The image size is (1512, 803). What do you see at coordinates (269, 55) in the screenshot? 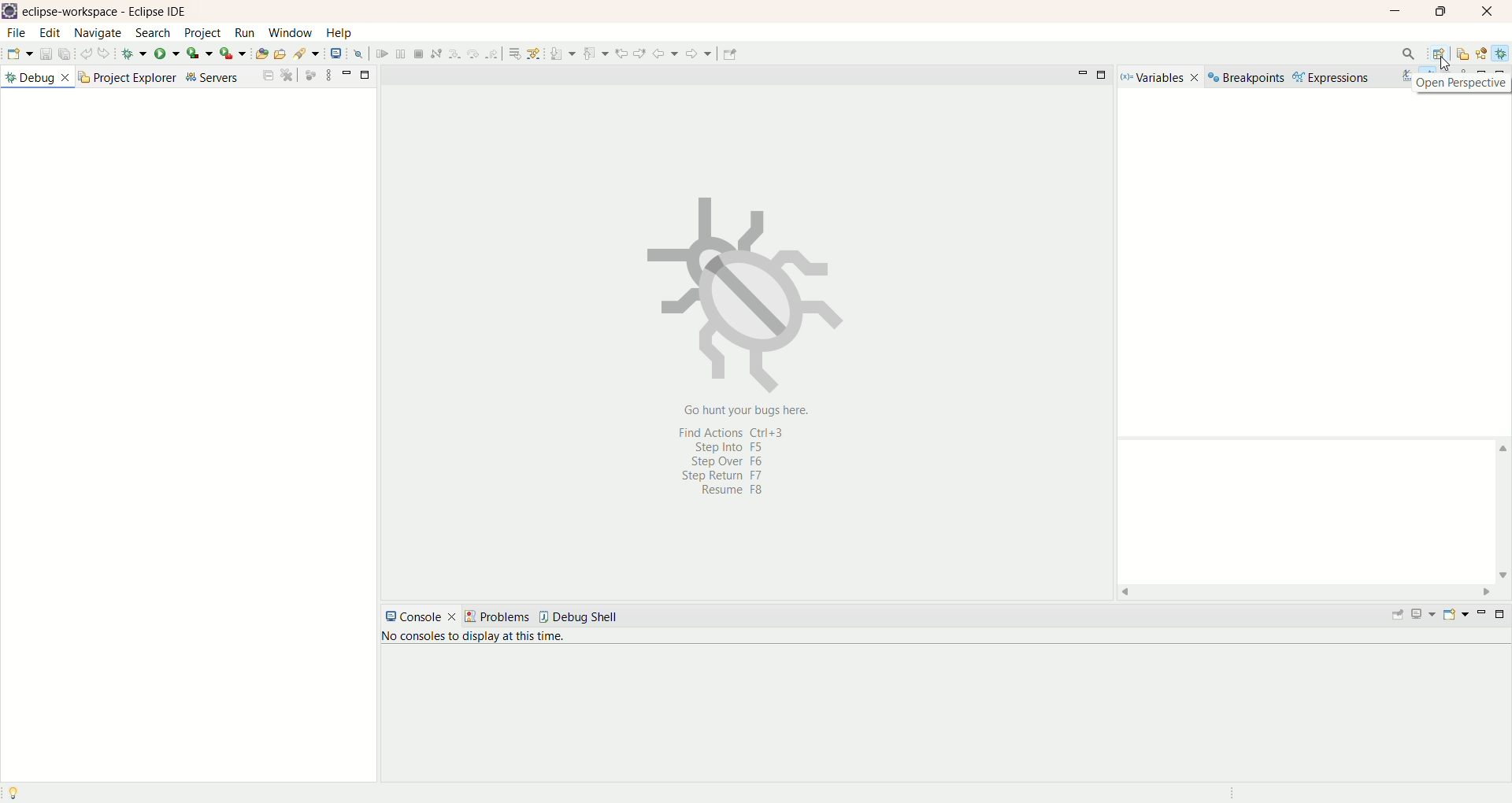
I see `create a dynamic web project` at bounding box center [269, 55].